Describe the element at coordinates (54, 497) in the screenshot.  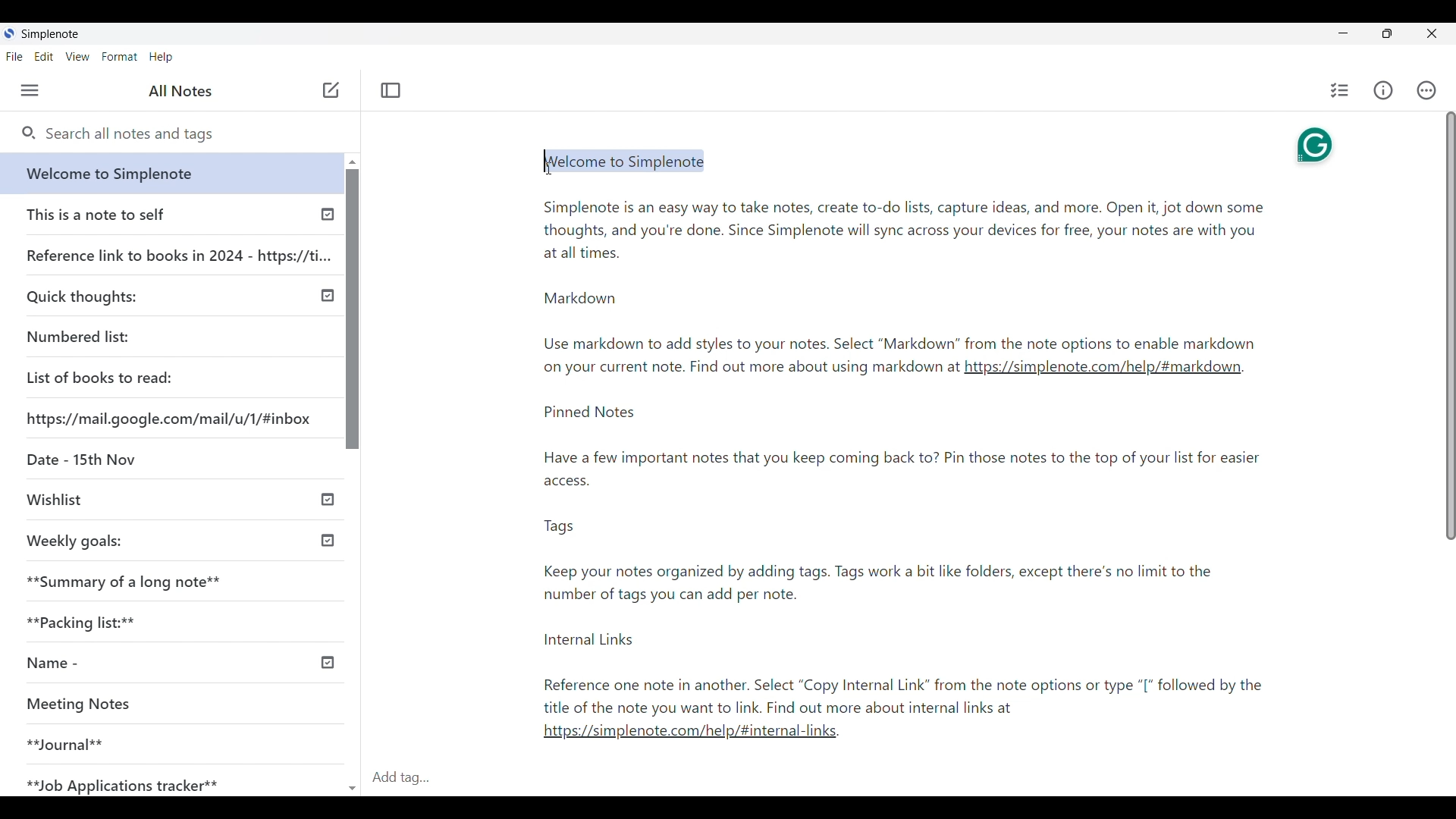
I see `Wishlist` at that location.